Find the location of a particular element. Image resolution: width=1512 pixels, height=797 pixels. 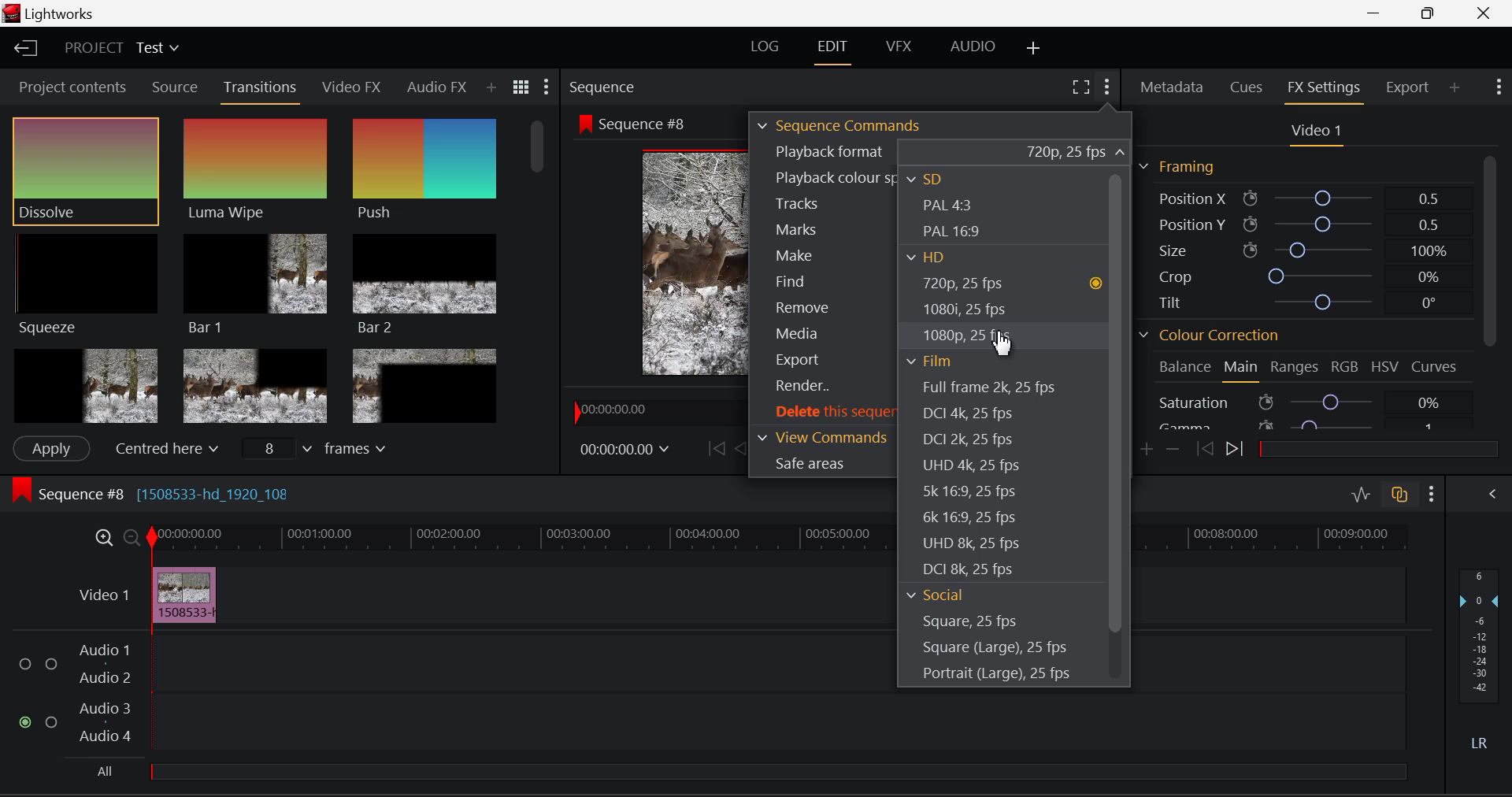

Render is located at coordinates (821, 387).